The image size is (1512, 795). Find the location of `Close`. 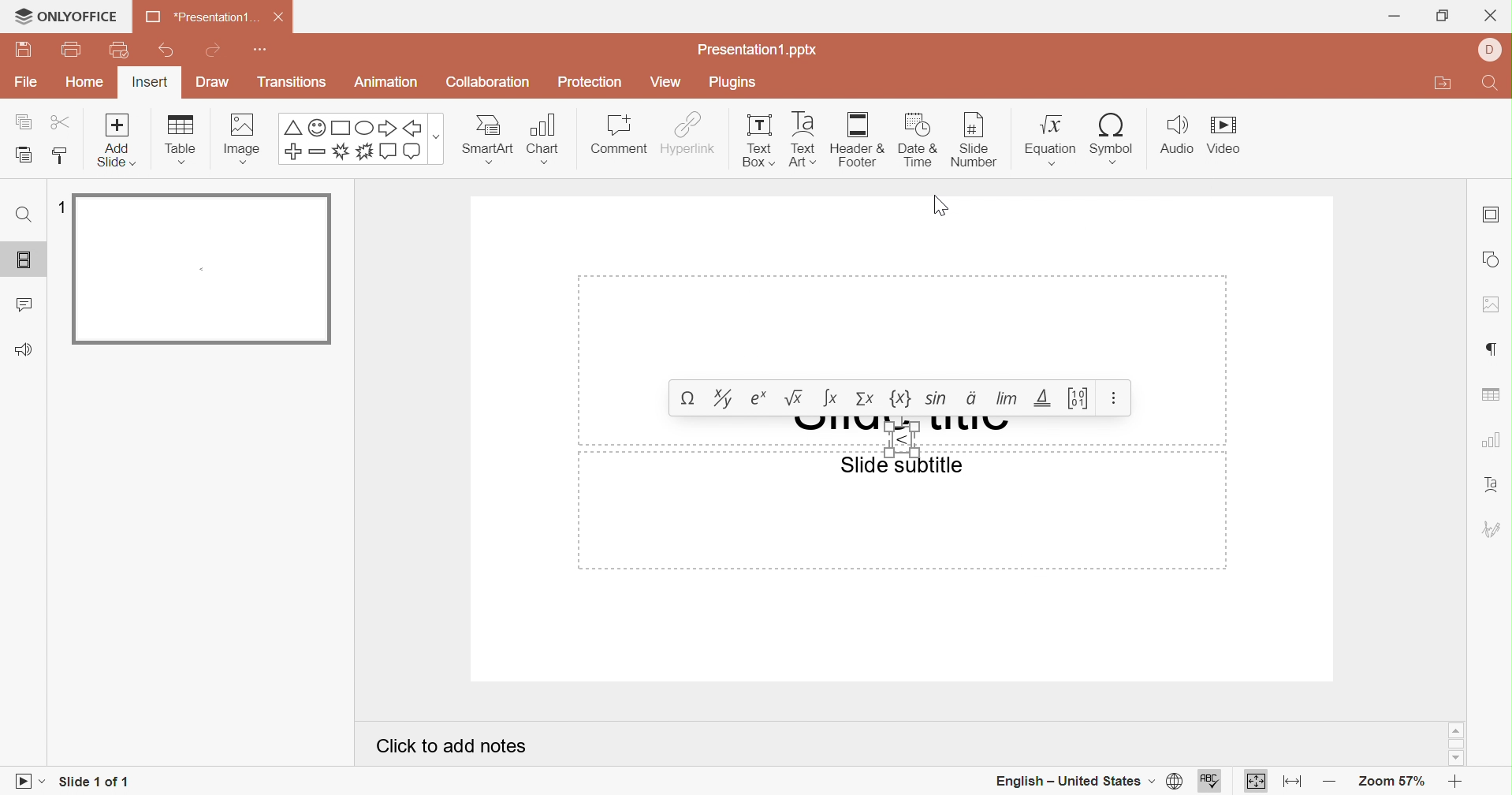

Close is located at coordinates (278, 18).